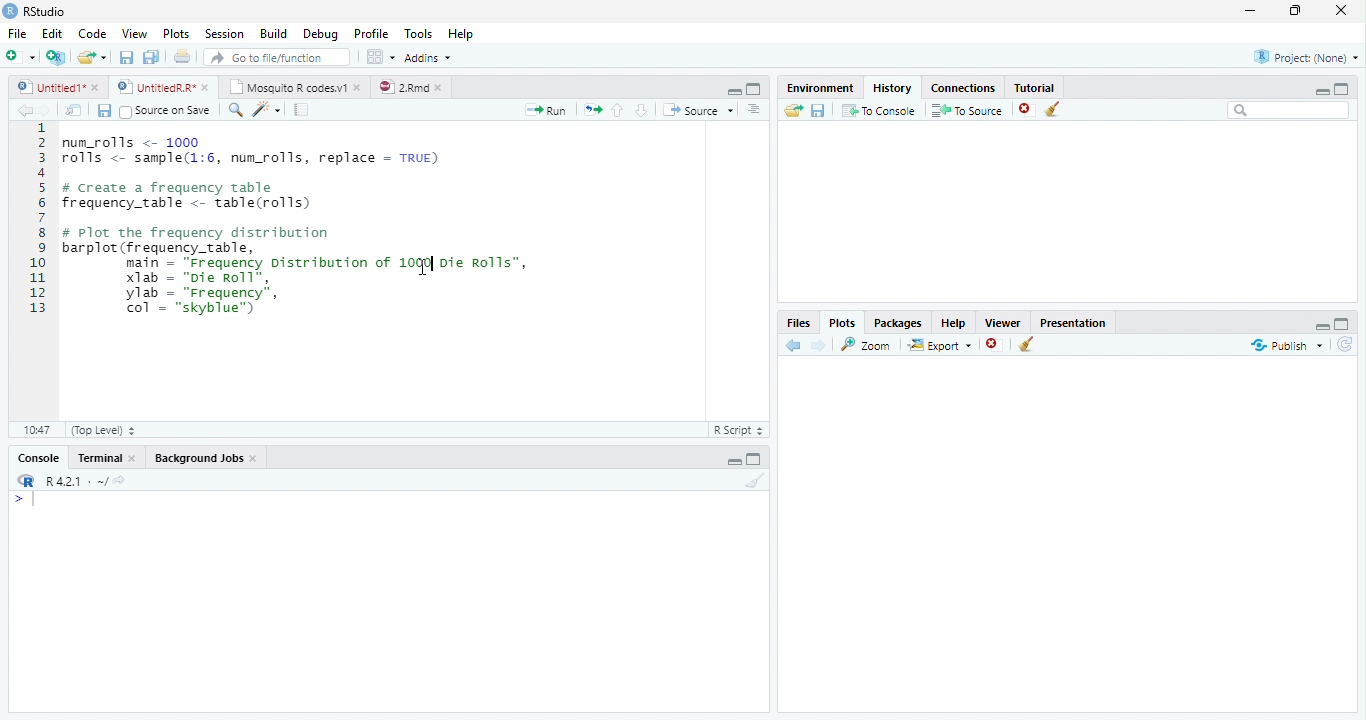 This screenshot has height=720, width=1366. Describe the element at coordinates (868, 345) in the screenshot. I see `Zoom` at that location.